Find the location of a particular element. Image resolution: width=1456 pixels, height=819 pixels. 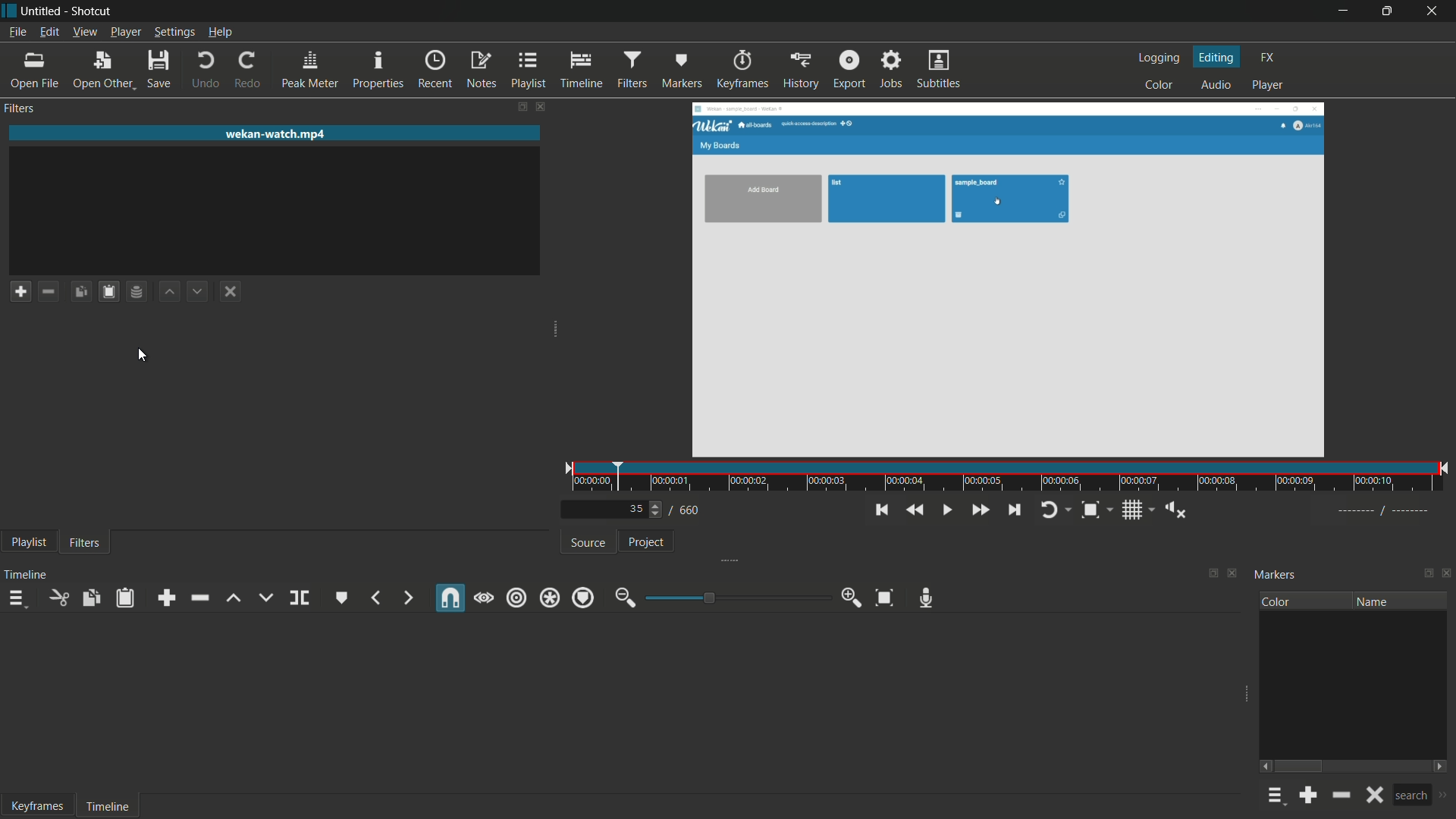

color is located at coordinates (1277, 601).